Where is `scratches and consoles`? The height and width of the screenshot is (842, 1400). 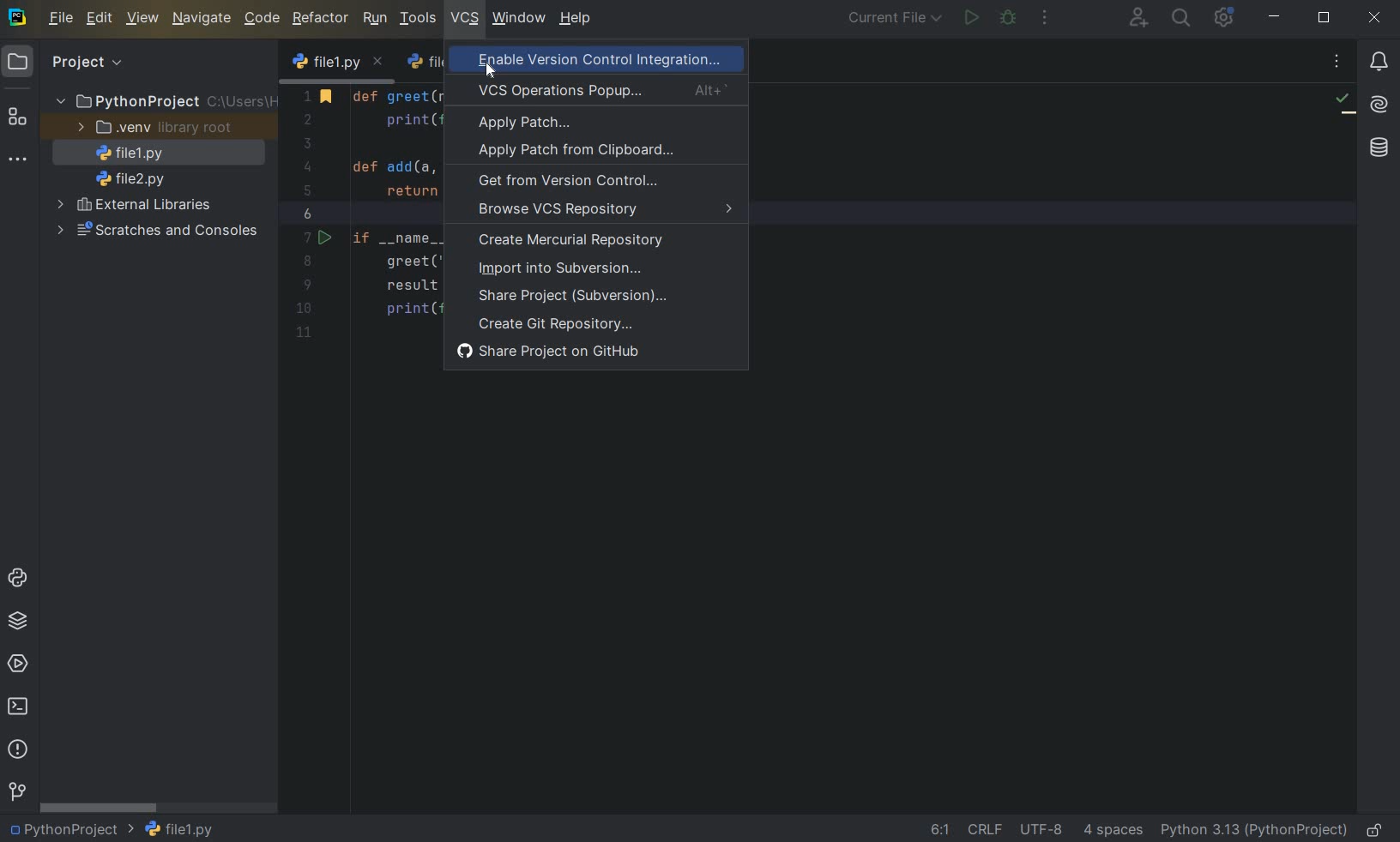 scratches and consoles is located at coordinates (155, 231).